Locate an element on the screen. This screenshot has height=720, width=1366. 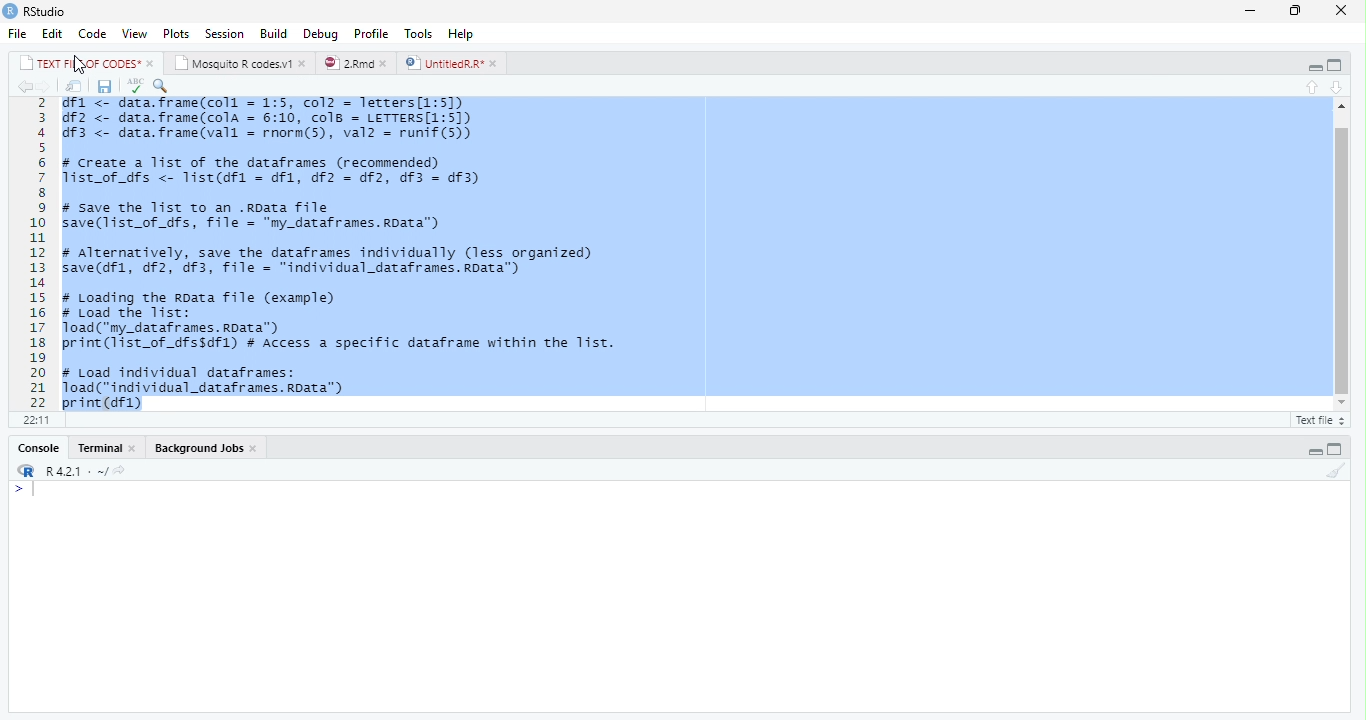
Go to previous location is located at coordinates (22, 86).